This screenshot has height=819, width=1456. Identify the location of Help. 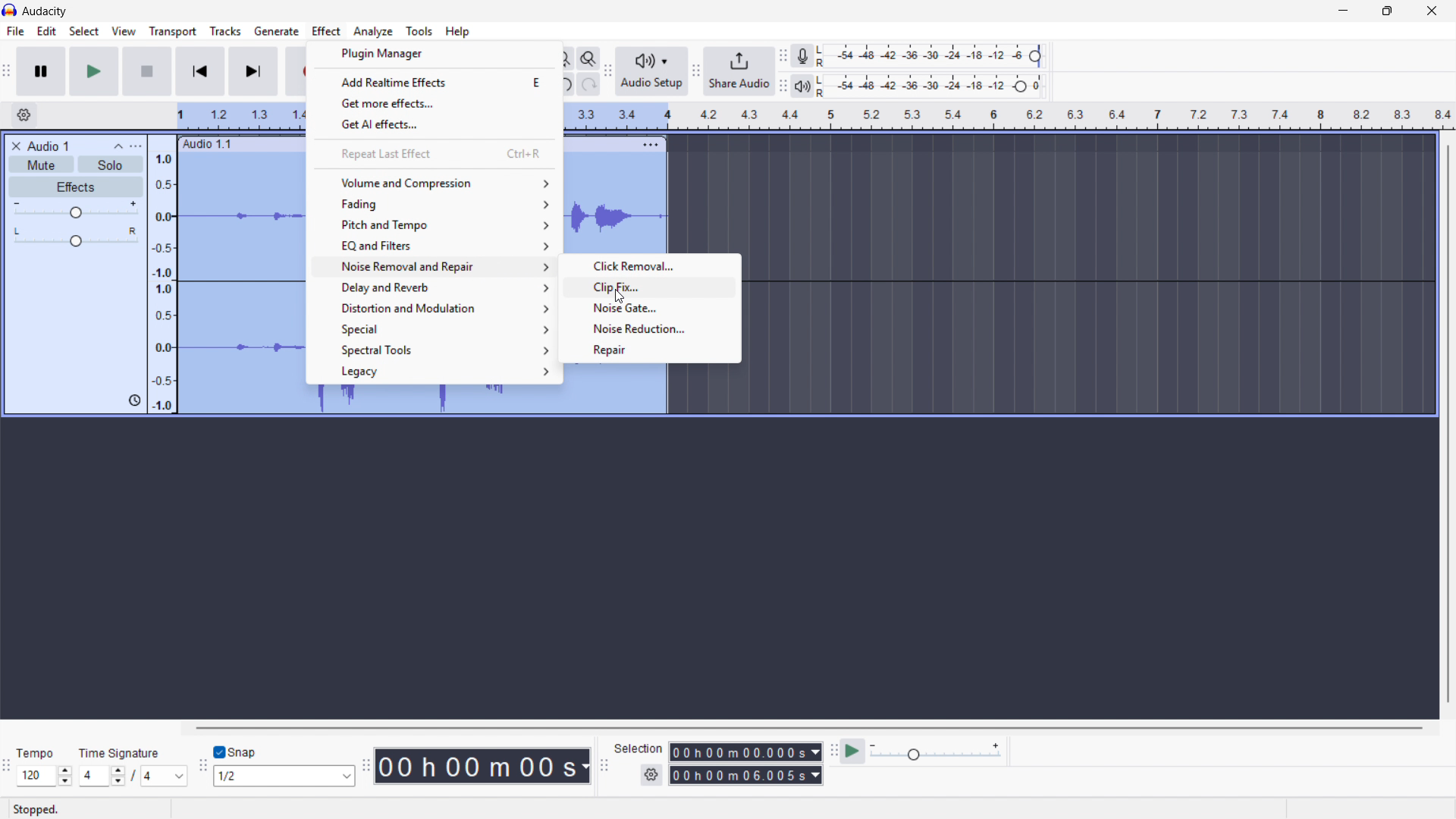
(458, 32).